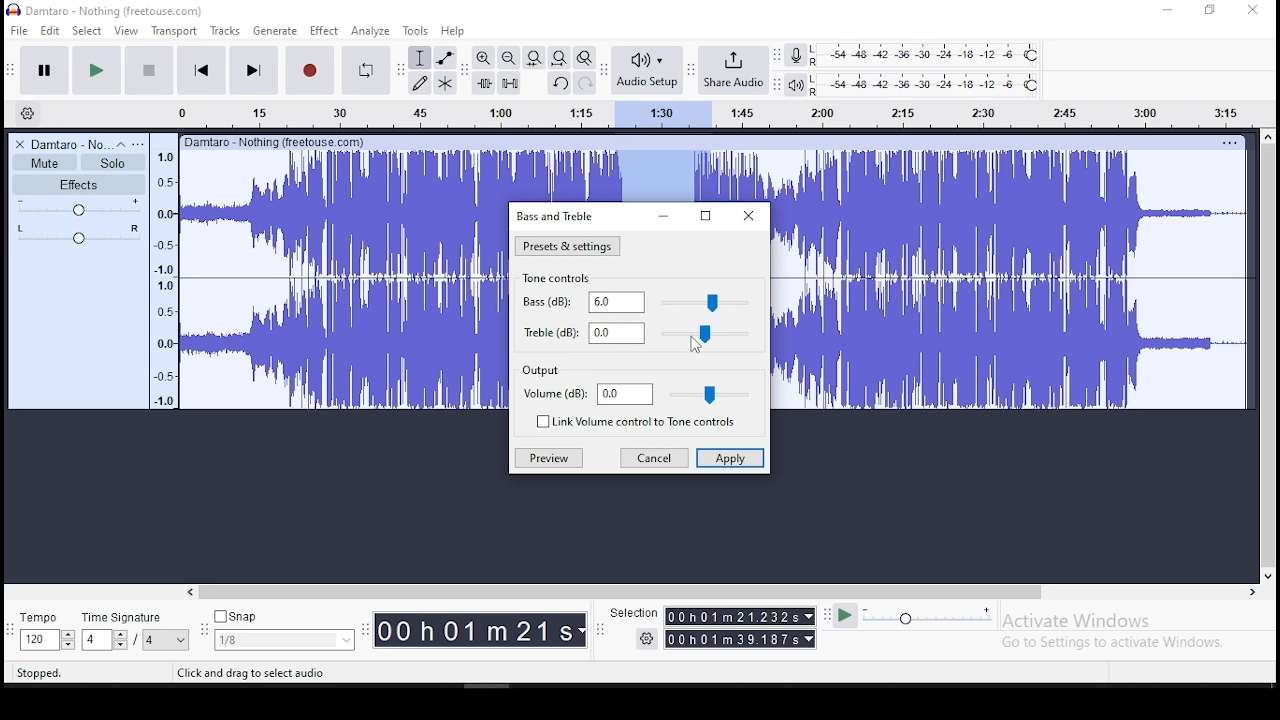  I want to click on tracks, so click(227, 31).